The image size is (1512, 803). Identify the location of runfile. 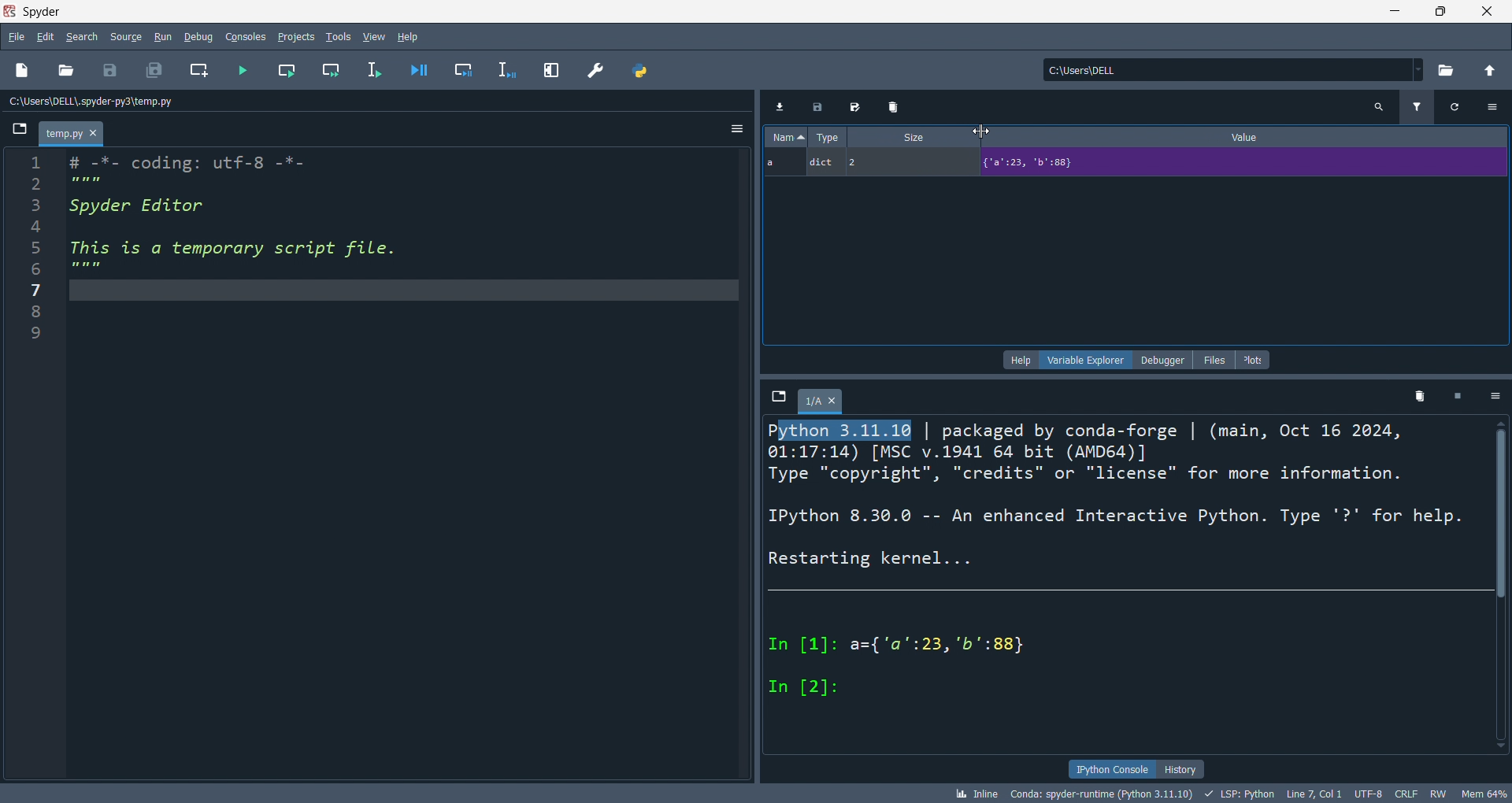
(236, 70).